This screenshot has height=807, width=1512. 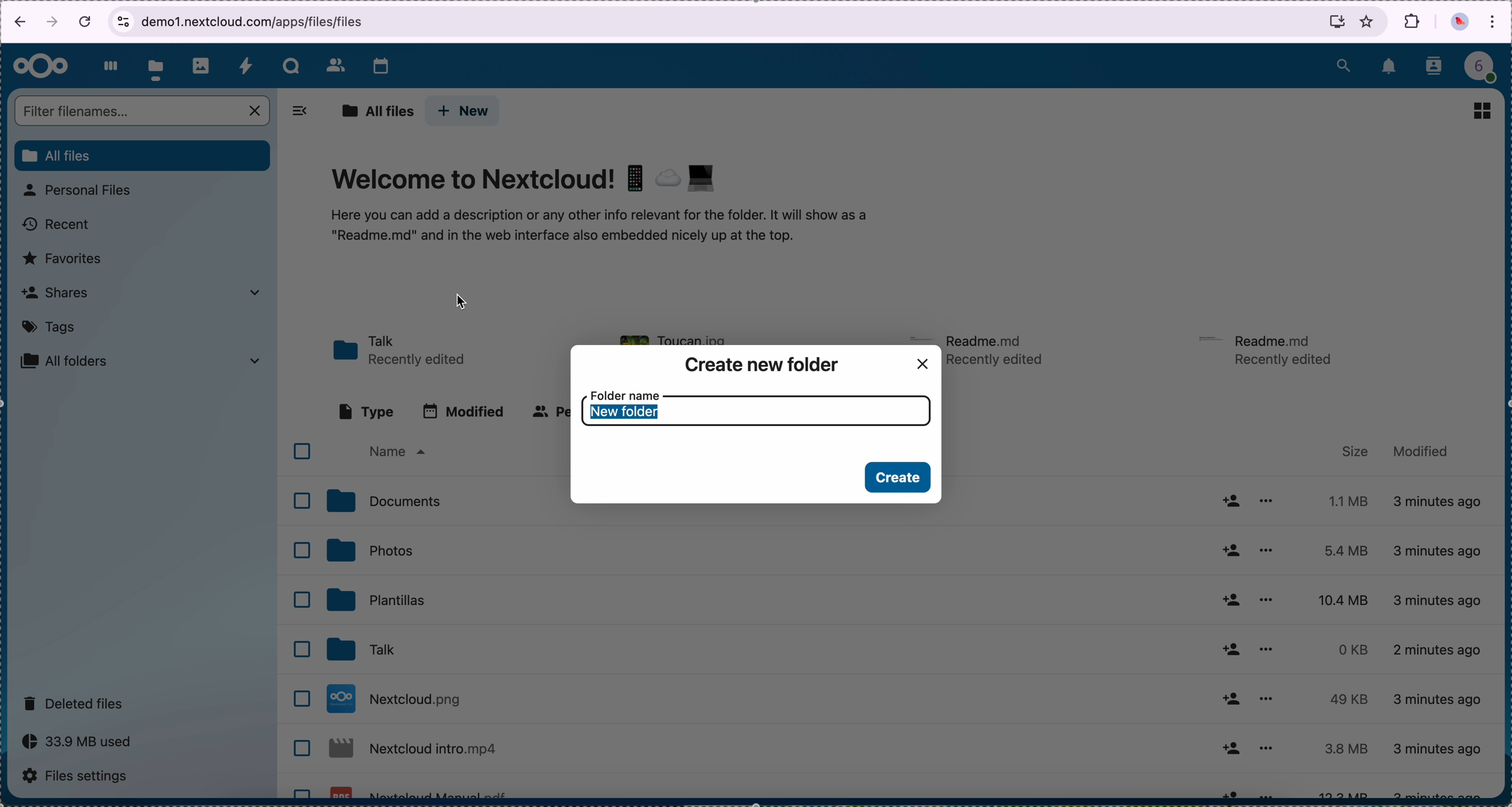 I want to click on share, so click(x=1230, y=698).